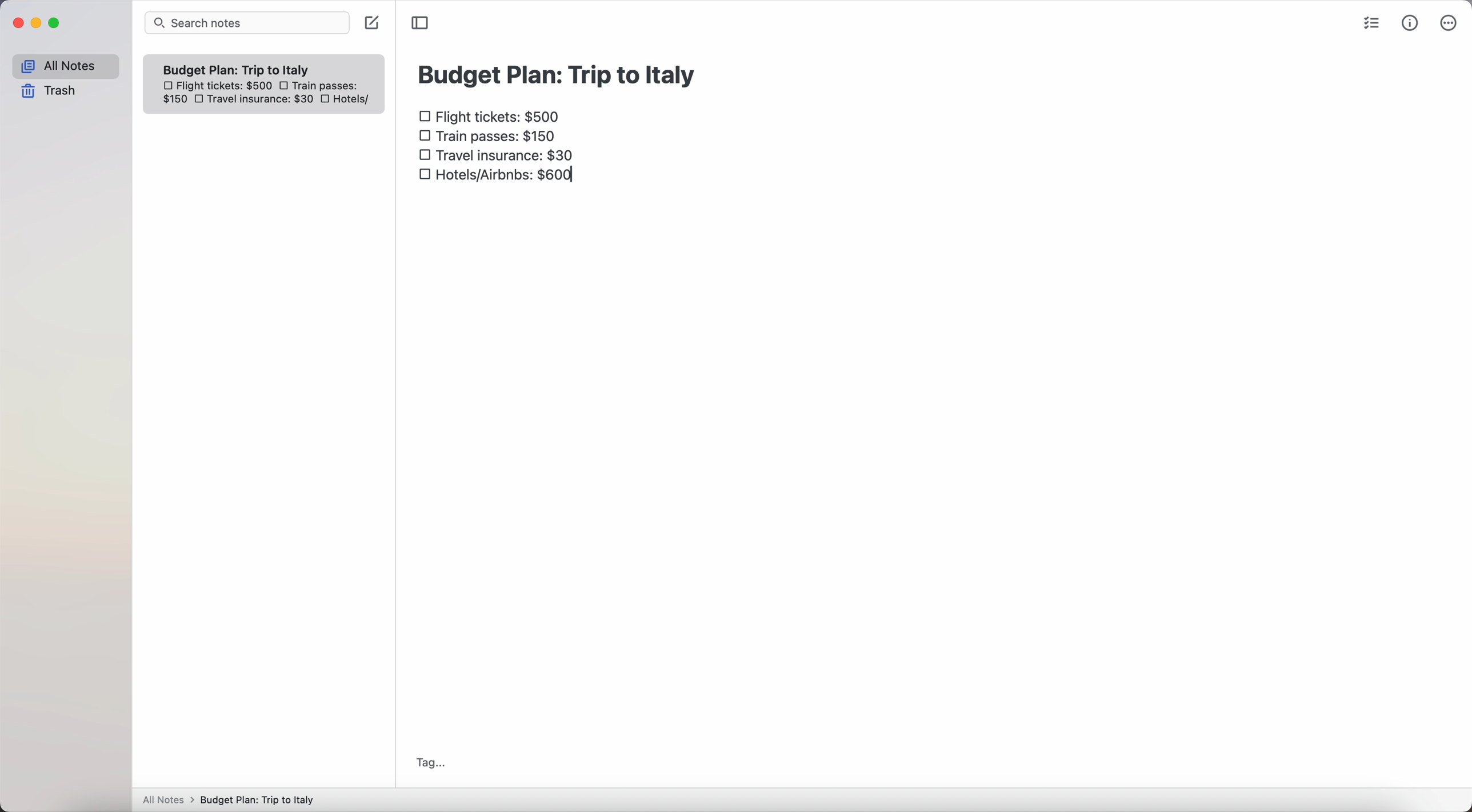 This screenshot has height=812, width=1472. What do you see at coordinates (65, 66) in the screenshot?
I see `all notes` at bounding box center [65, 66].